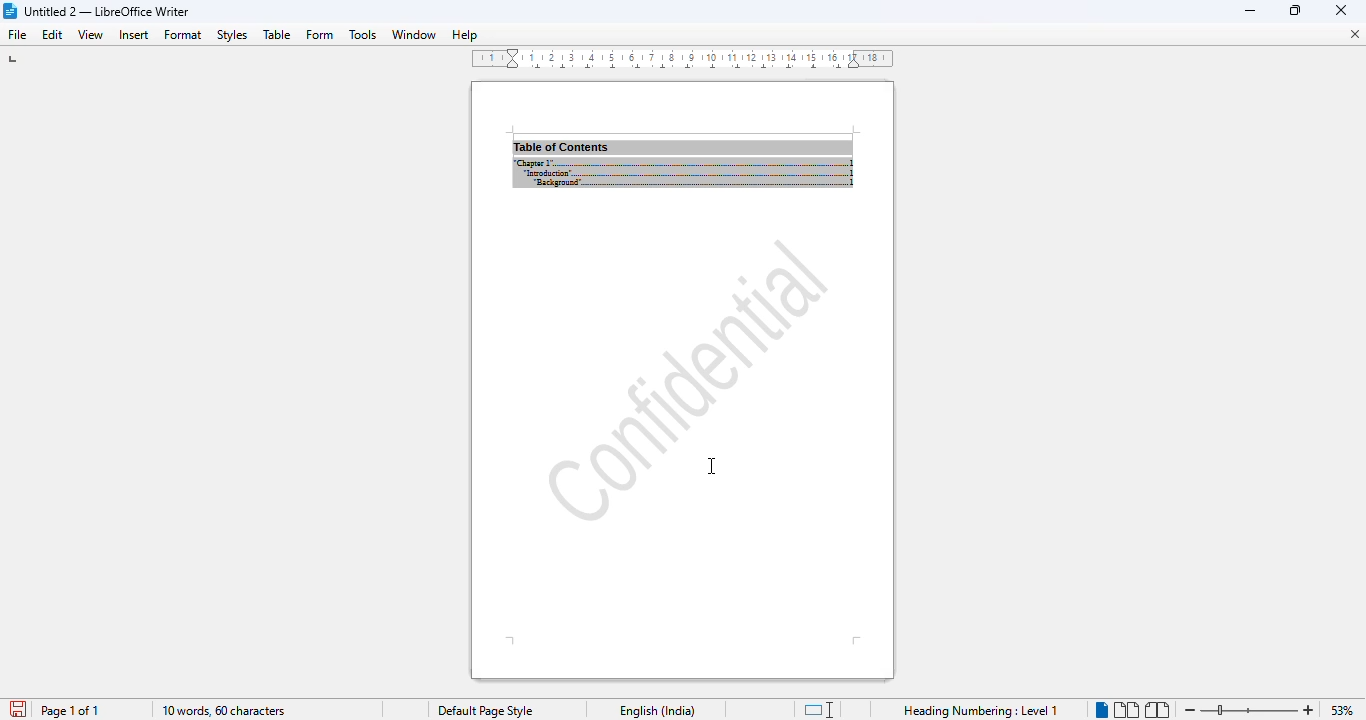 This screenshot has height=720, width=1366. What do you see at coordinates (53, 35) in the screenshot?
I see `edit` at bounding box center [53, 35].